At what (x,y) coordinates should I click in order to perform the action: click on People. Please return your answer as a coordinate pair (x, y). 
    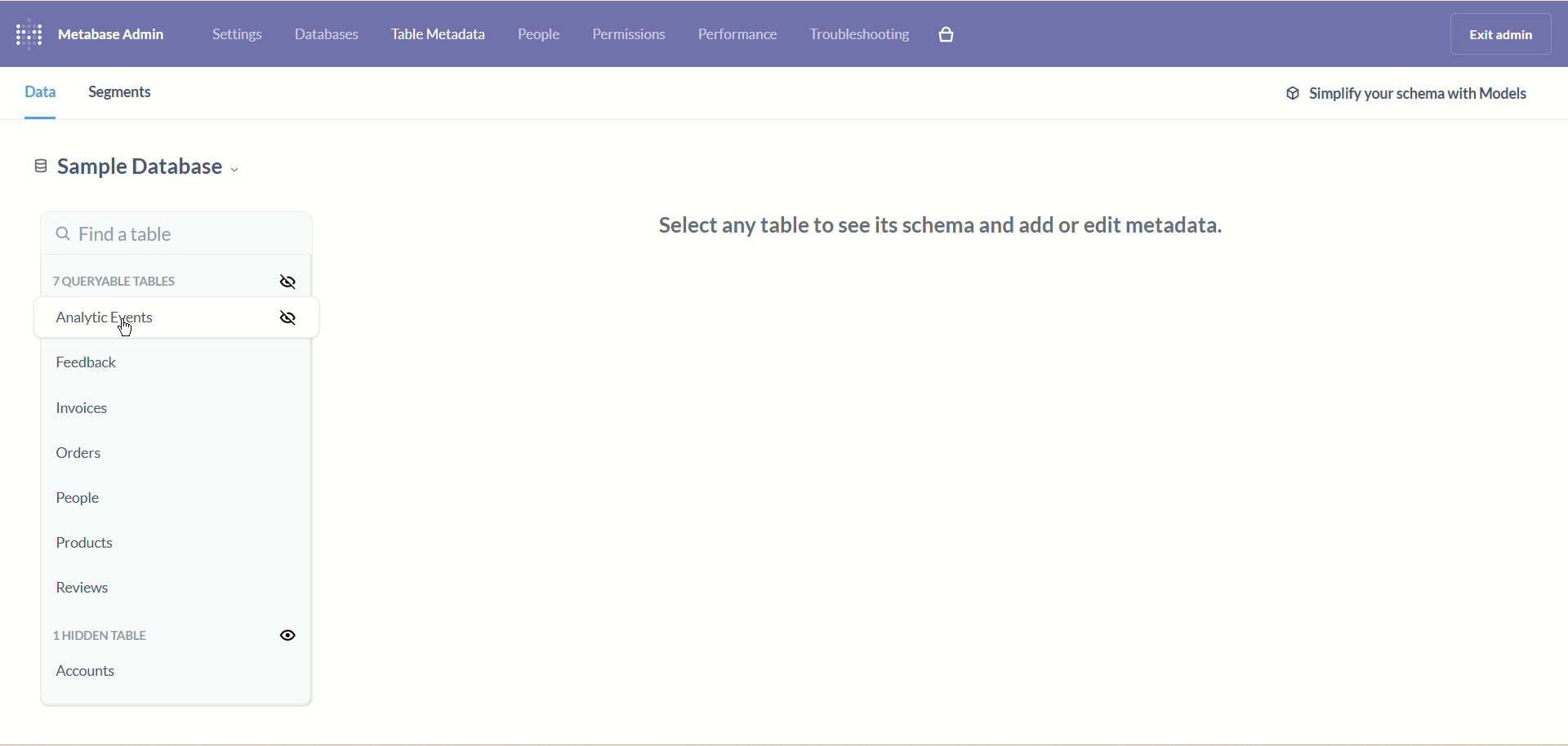
    Looking at the image, I should click on (540, 31).